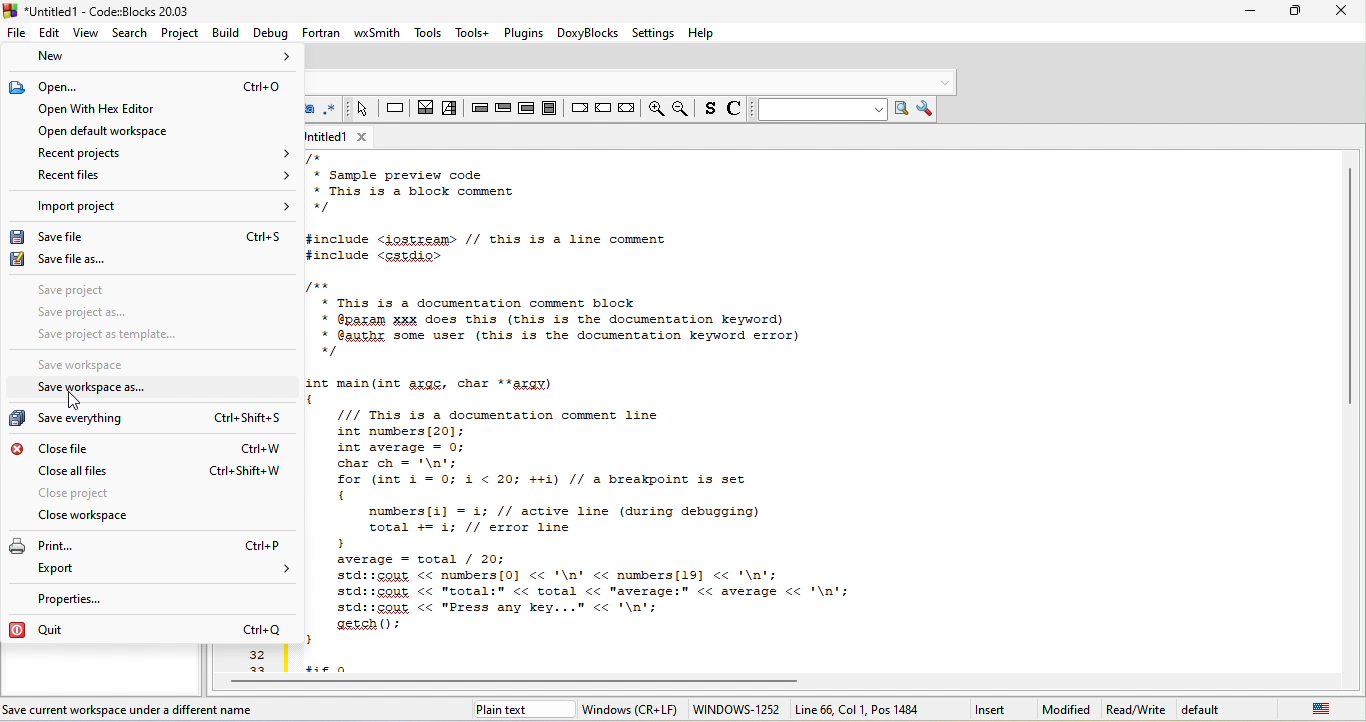  Describe the element at coordinates (928, 109) in the screenshot. I see `show option window` at that location.